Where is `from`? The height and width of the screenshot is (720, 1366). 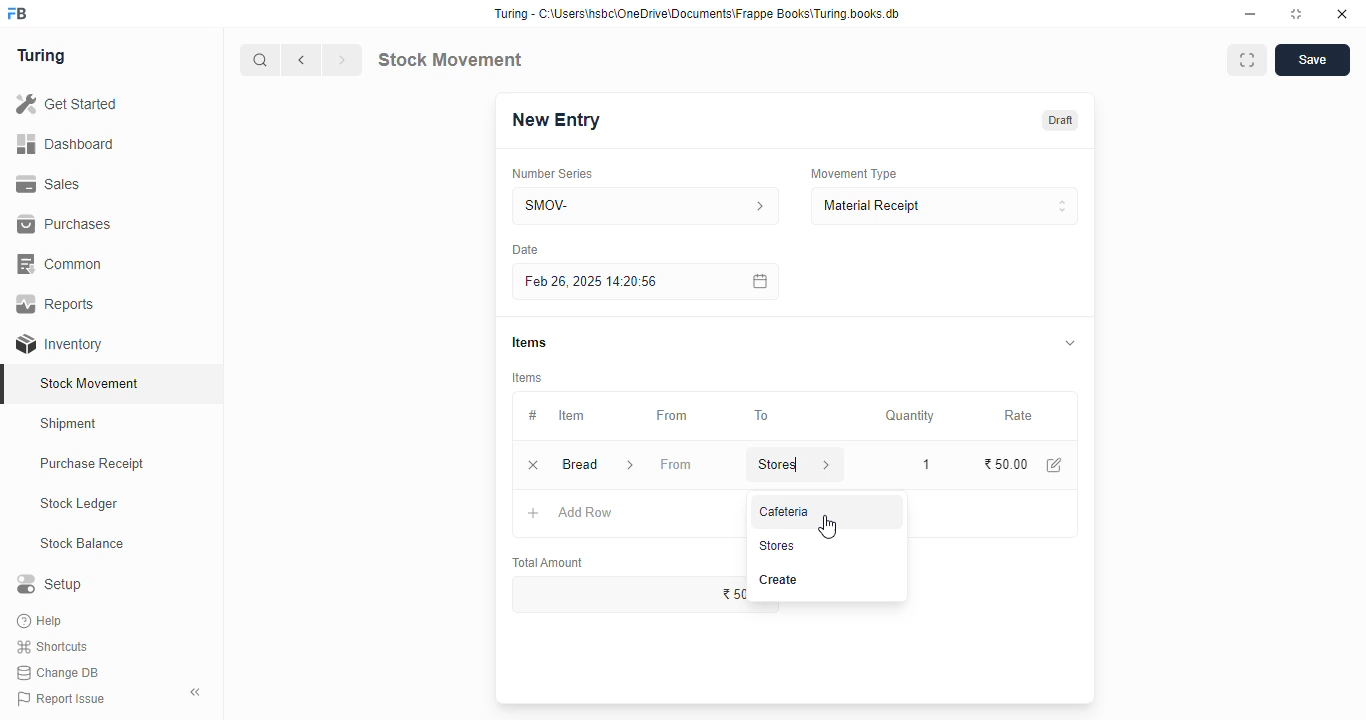
from is located at coordinates (673, 416).